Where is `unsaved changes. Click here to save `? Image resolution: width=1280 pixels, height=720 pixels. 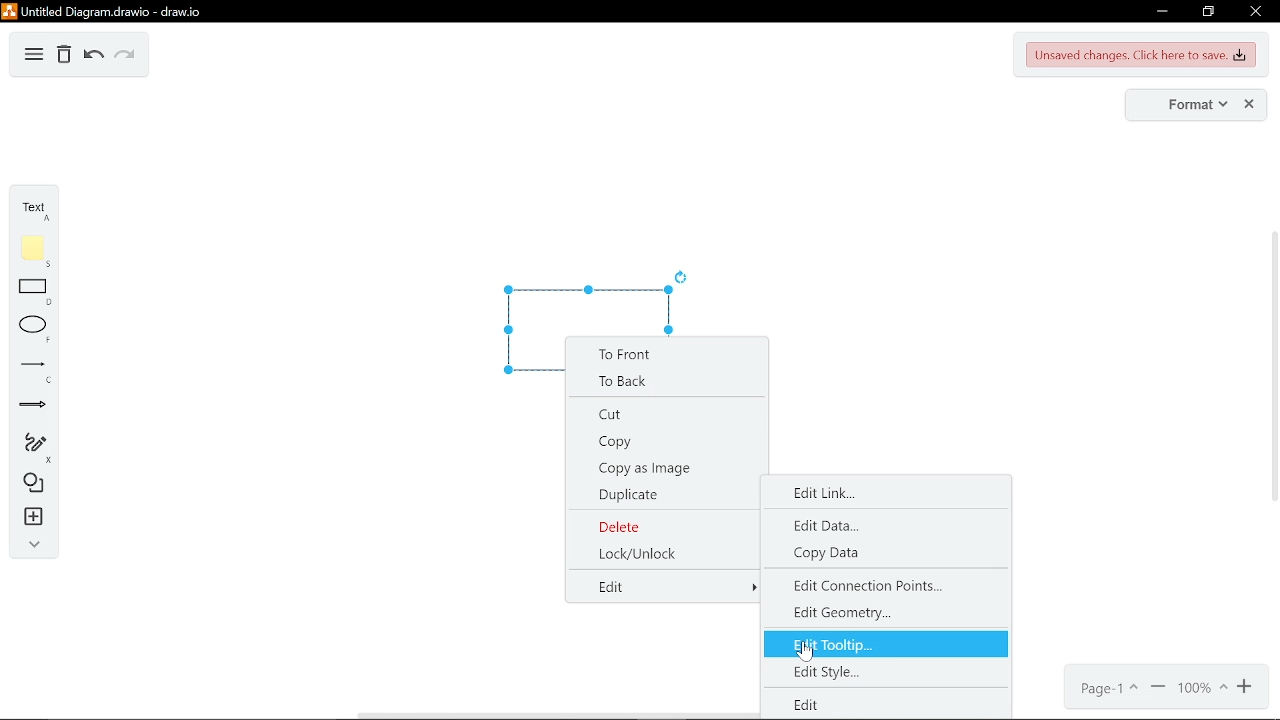
unsaved changes. Click here to save  is located at coordinates (1142, 55).